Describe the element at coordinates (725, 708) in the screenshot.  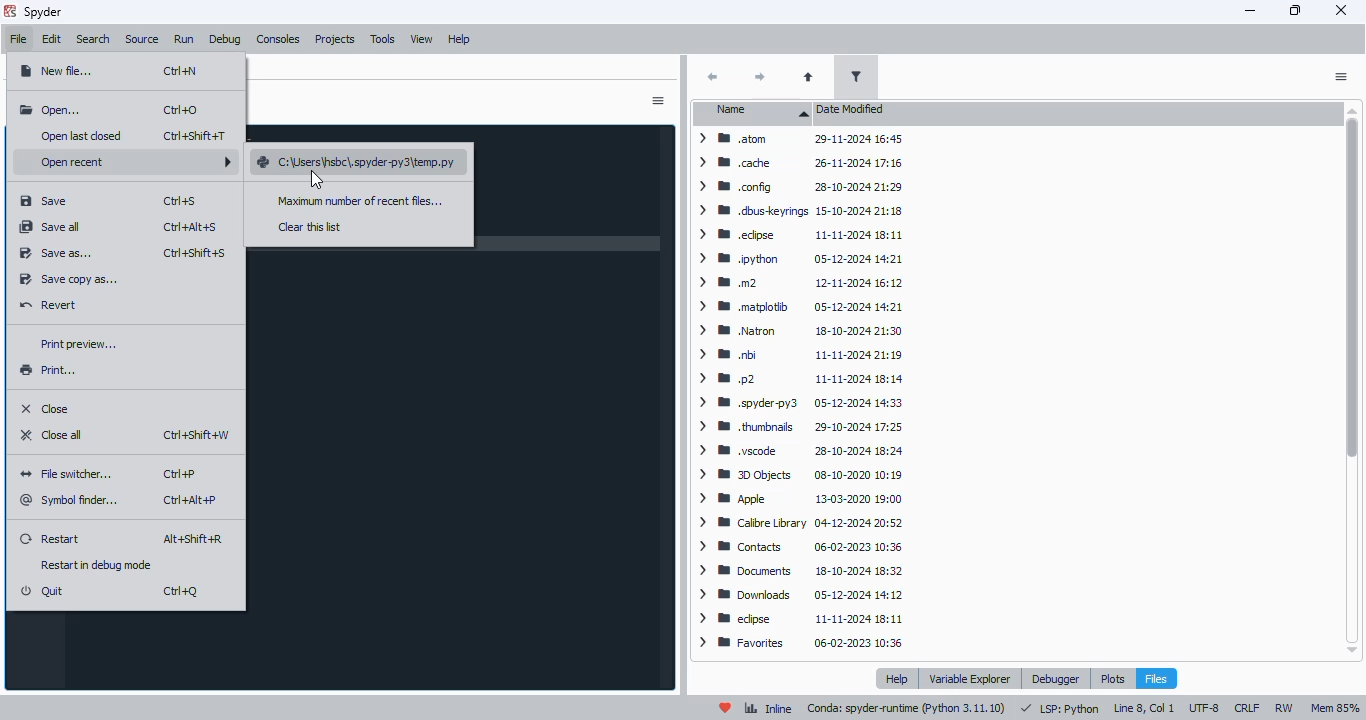
I see `help spyder!` at that location.